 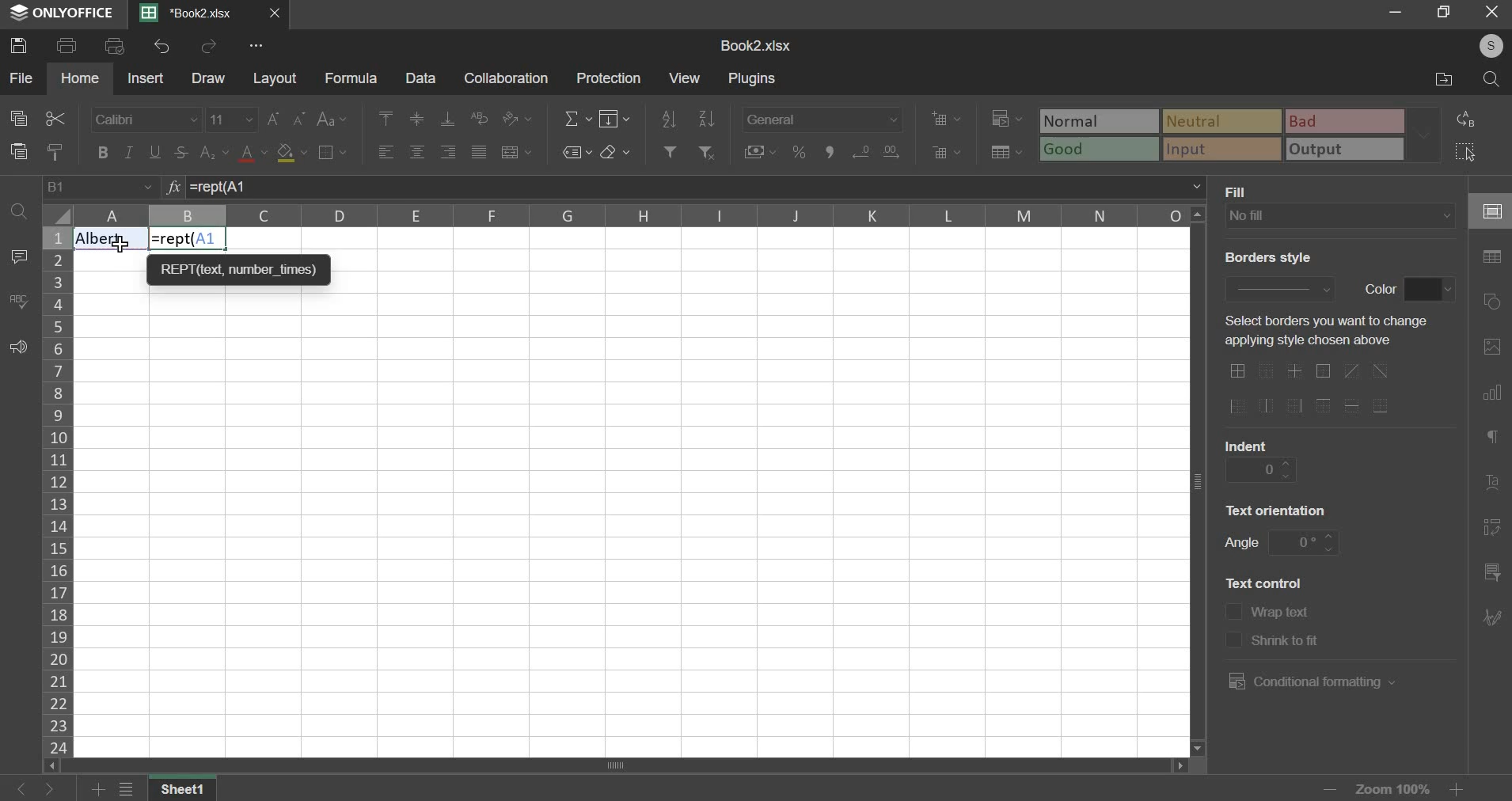 I want to click on layout, so click(x=275, y=79).